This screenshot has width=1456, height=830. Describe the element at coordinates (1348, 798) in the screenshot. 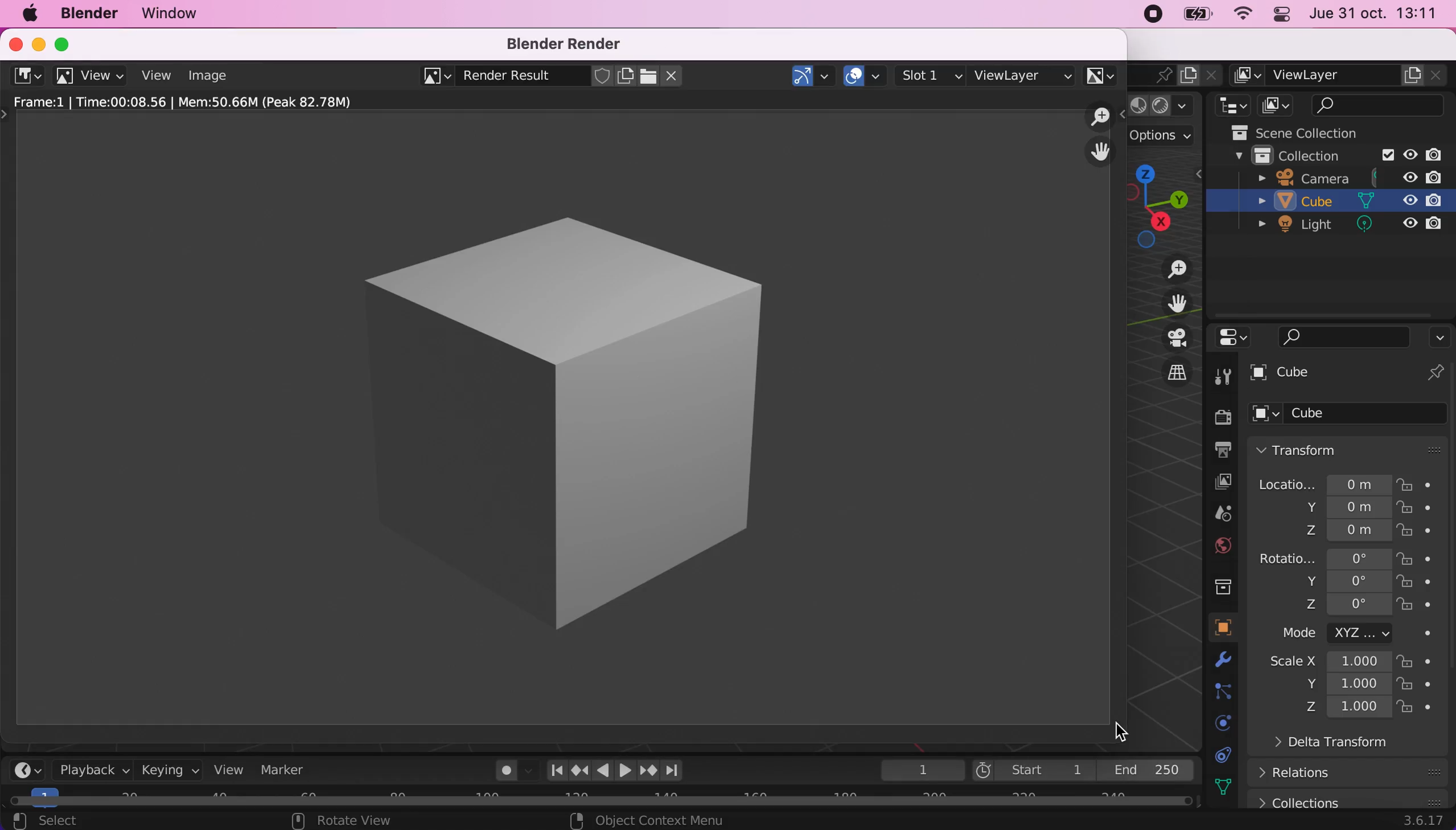

I see `collections` at that location.